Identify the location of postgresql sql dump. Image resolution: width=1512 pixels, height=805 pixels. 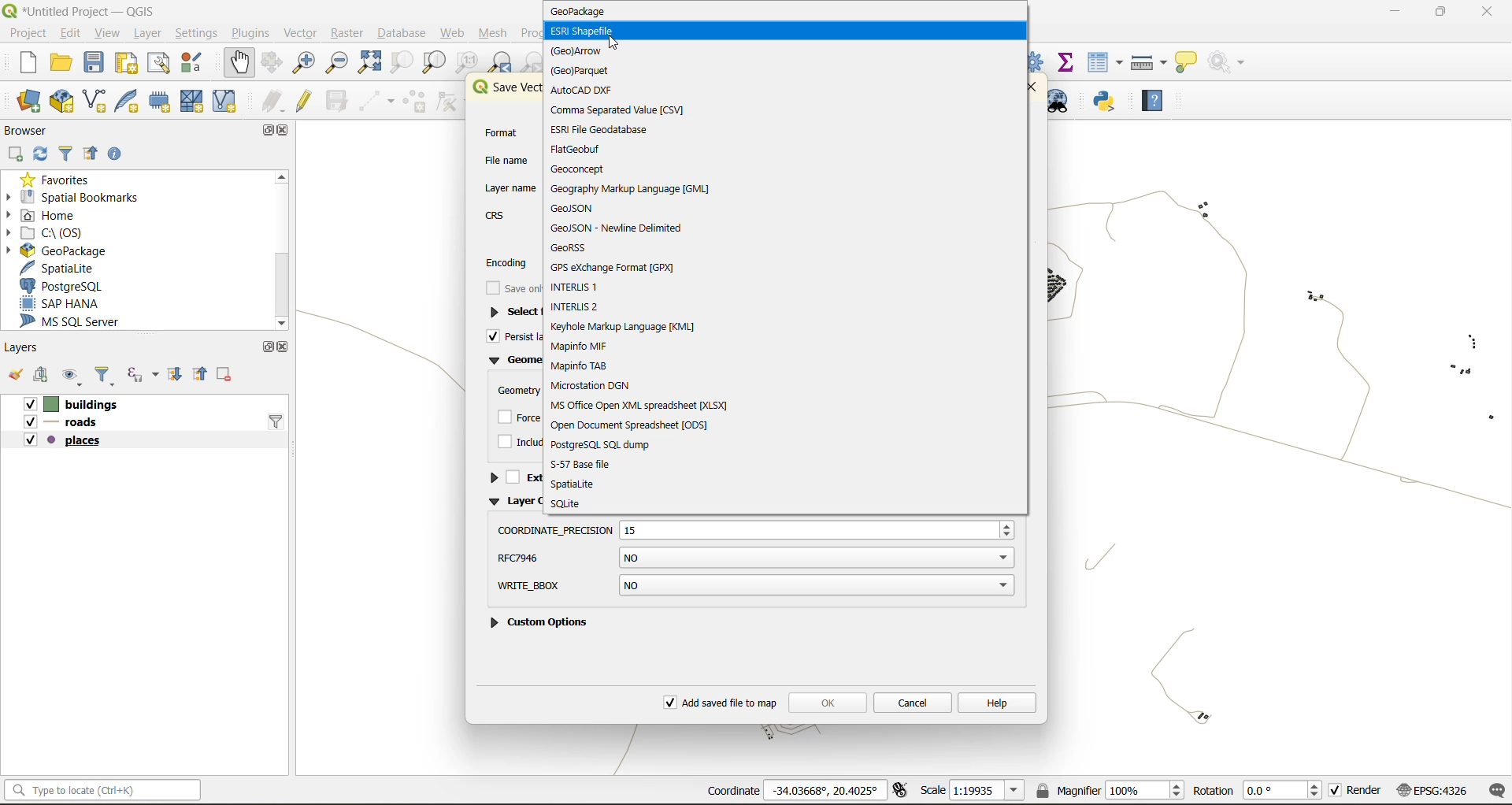
(604, 444).